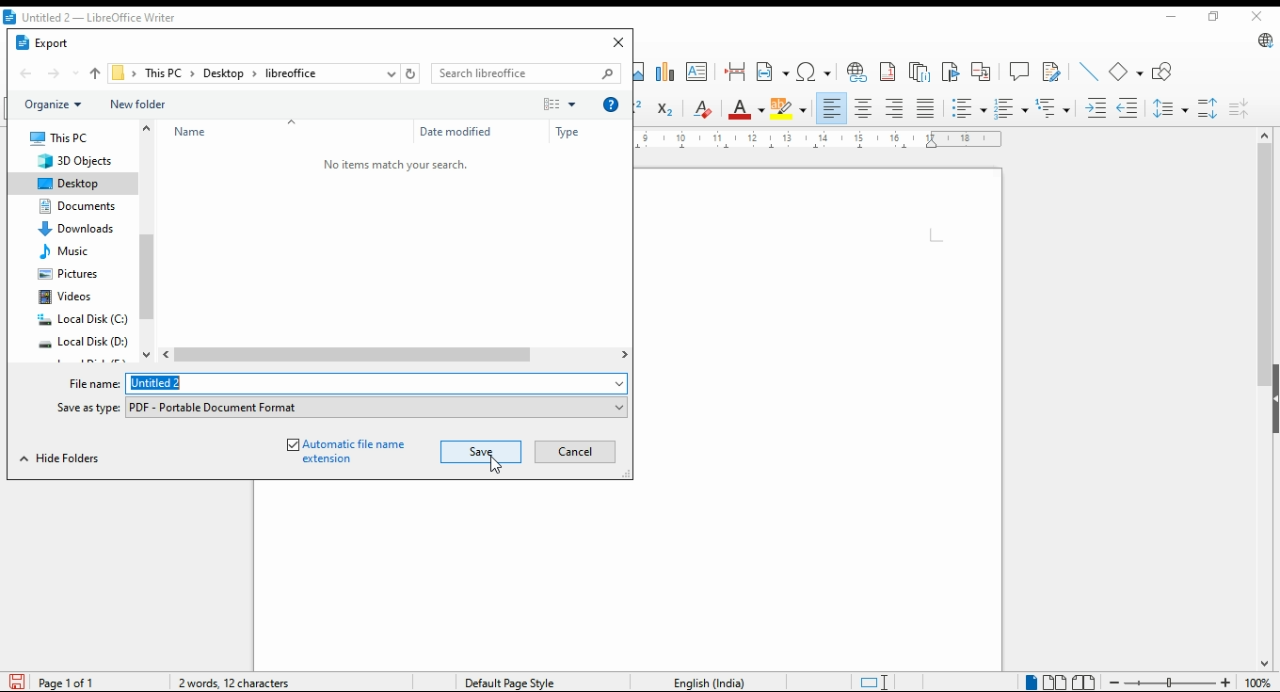 This screenshot has width=1280, height=692. I want to click on forward, so click(64, 75).